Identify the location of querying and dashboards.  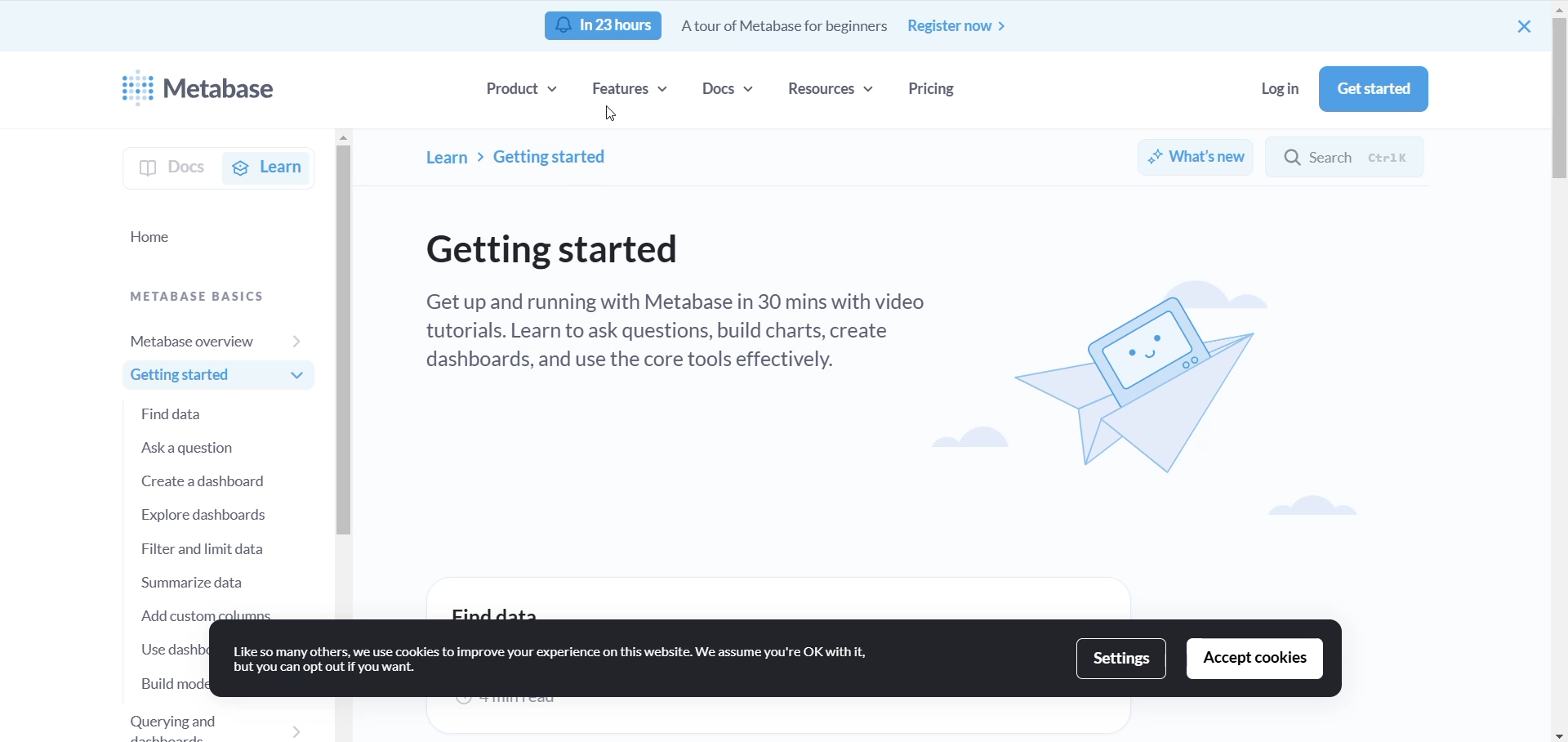
(185, 727).